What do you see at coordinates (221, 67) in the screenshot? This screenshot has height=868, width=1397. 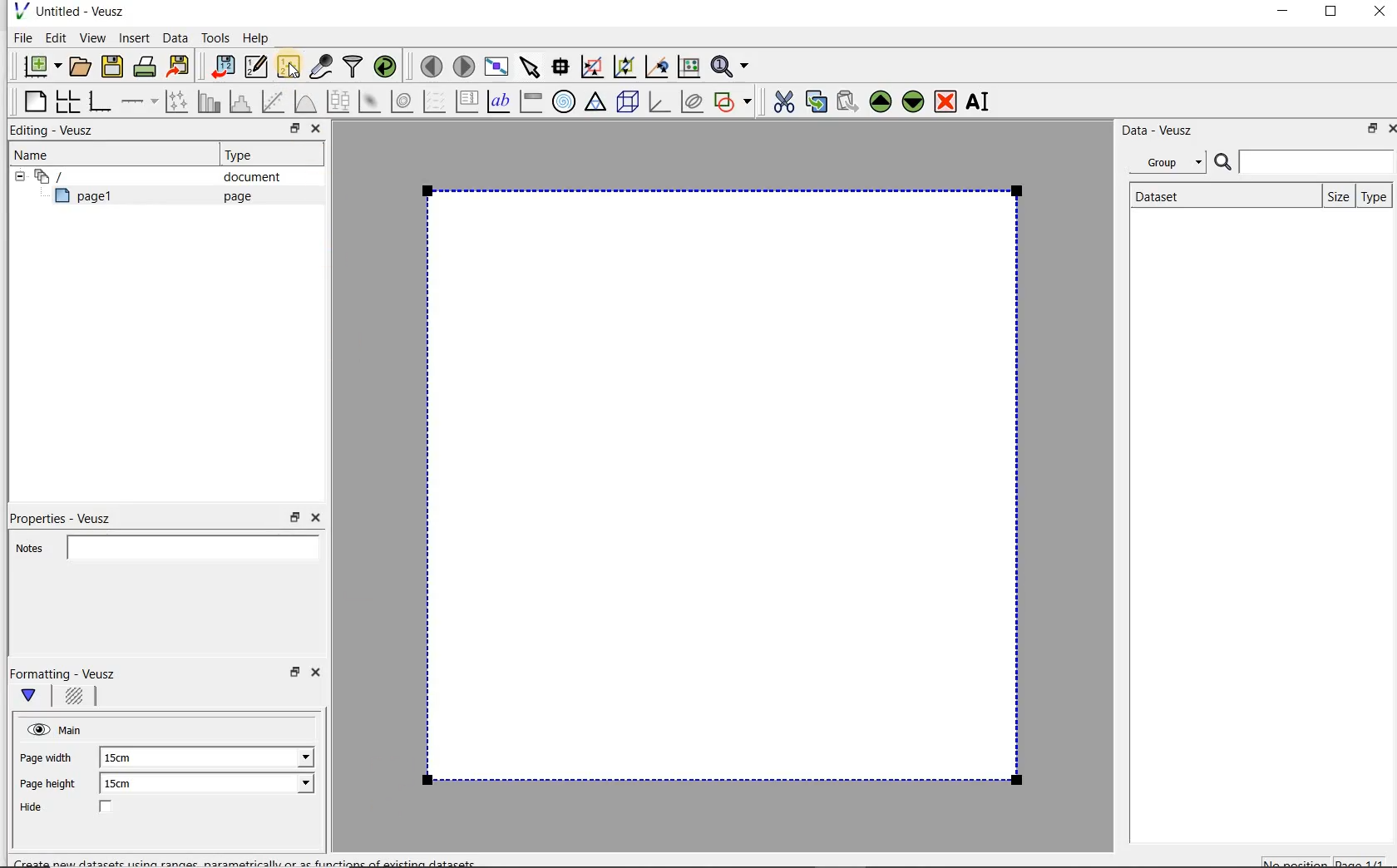 I see `import data into Veusz` at bounding box center [221, 67].